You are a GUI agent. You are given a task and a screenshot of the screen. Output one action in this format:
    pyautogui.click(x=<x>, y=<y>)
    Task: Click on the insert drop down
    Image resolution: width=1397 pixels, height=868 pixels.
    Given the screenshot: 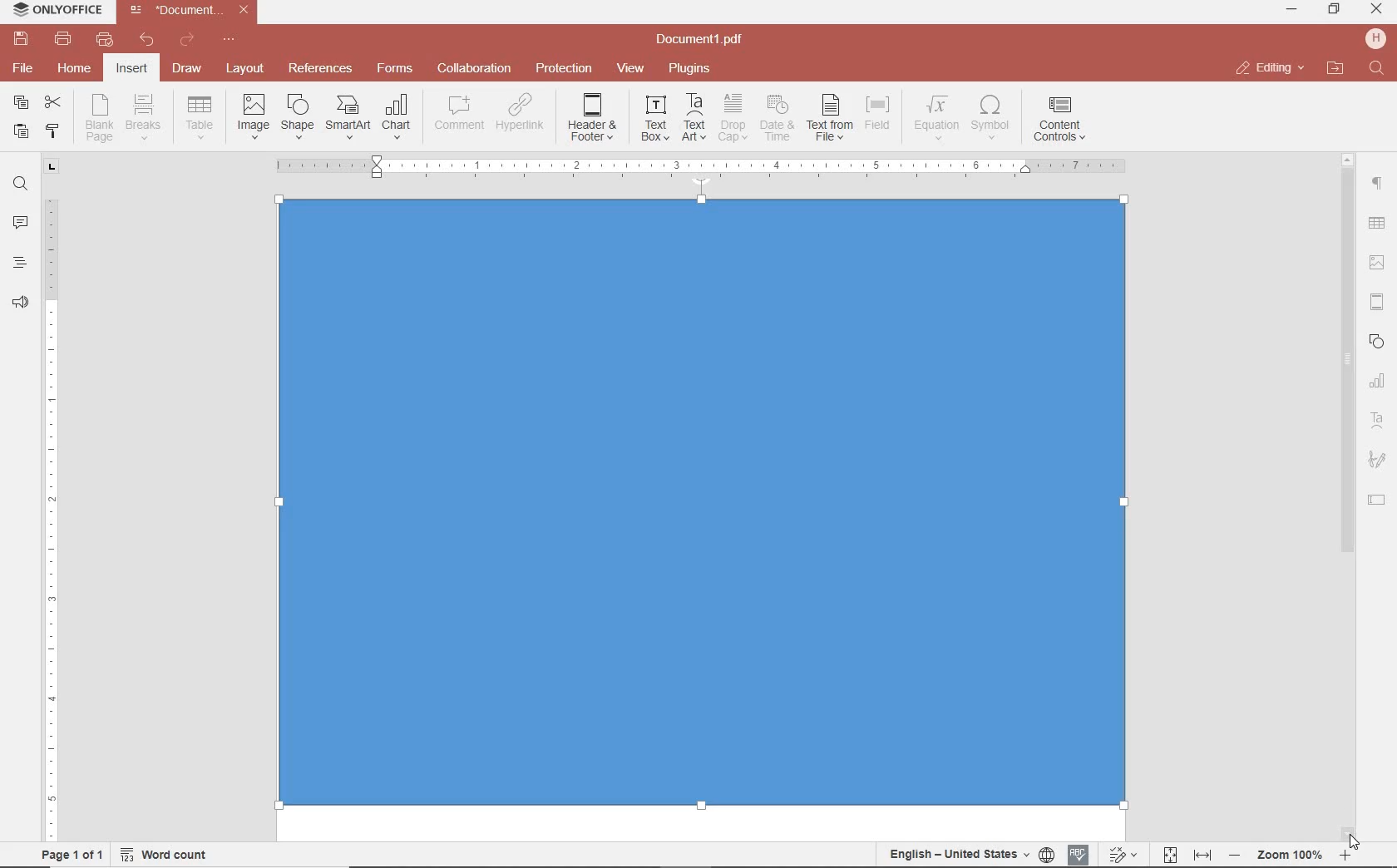 What is the action you would take?
    pyautogui.click(x=205, y=116)
    